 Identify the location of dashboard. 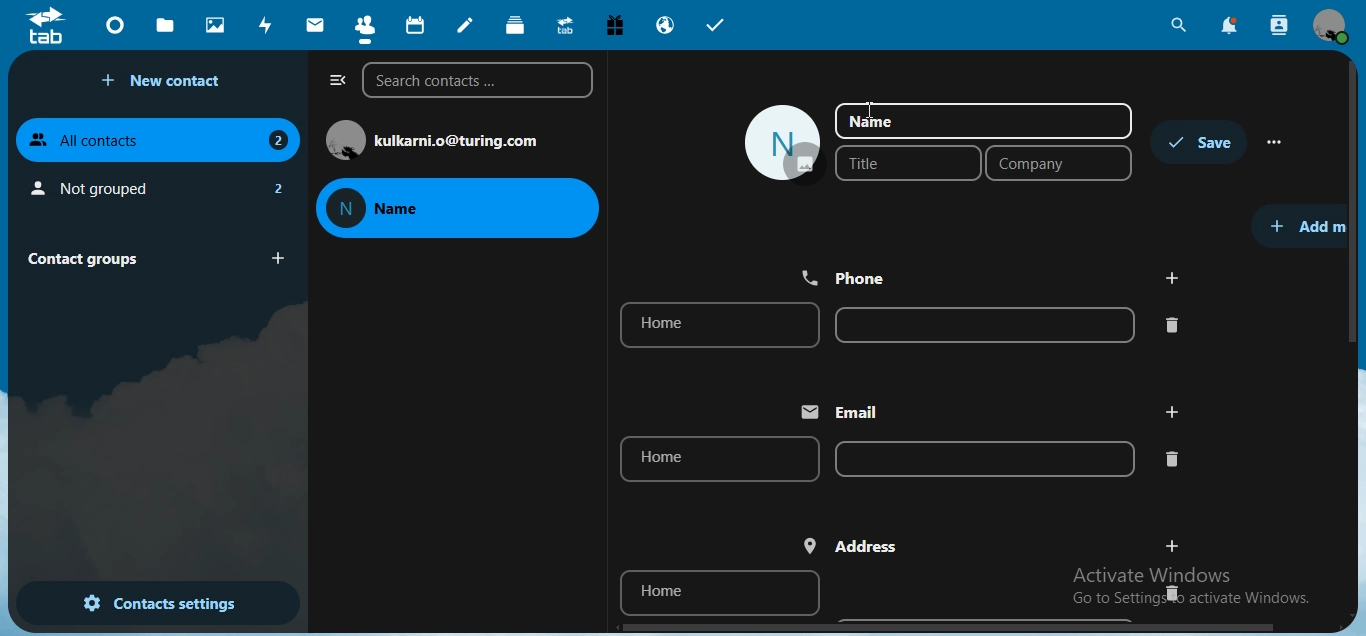
(114, 24).